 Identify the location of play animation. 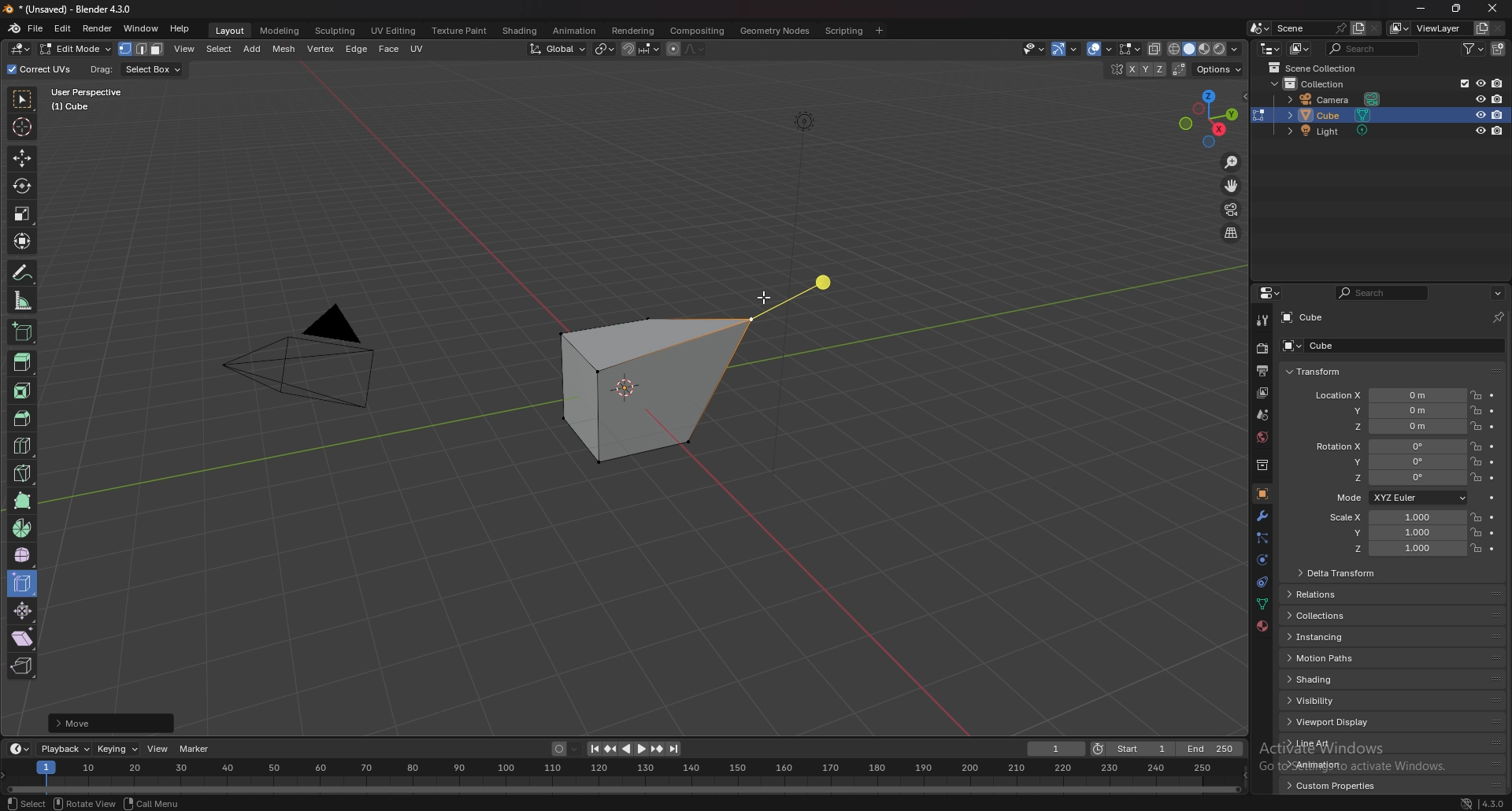
(633, 748).